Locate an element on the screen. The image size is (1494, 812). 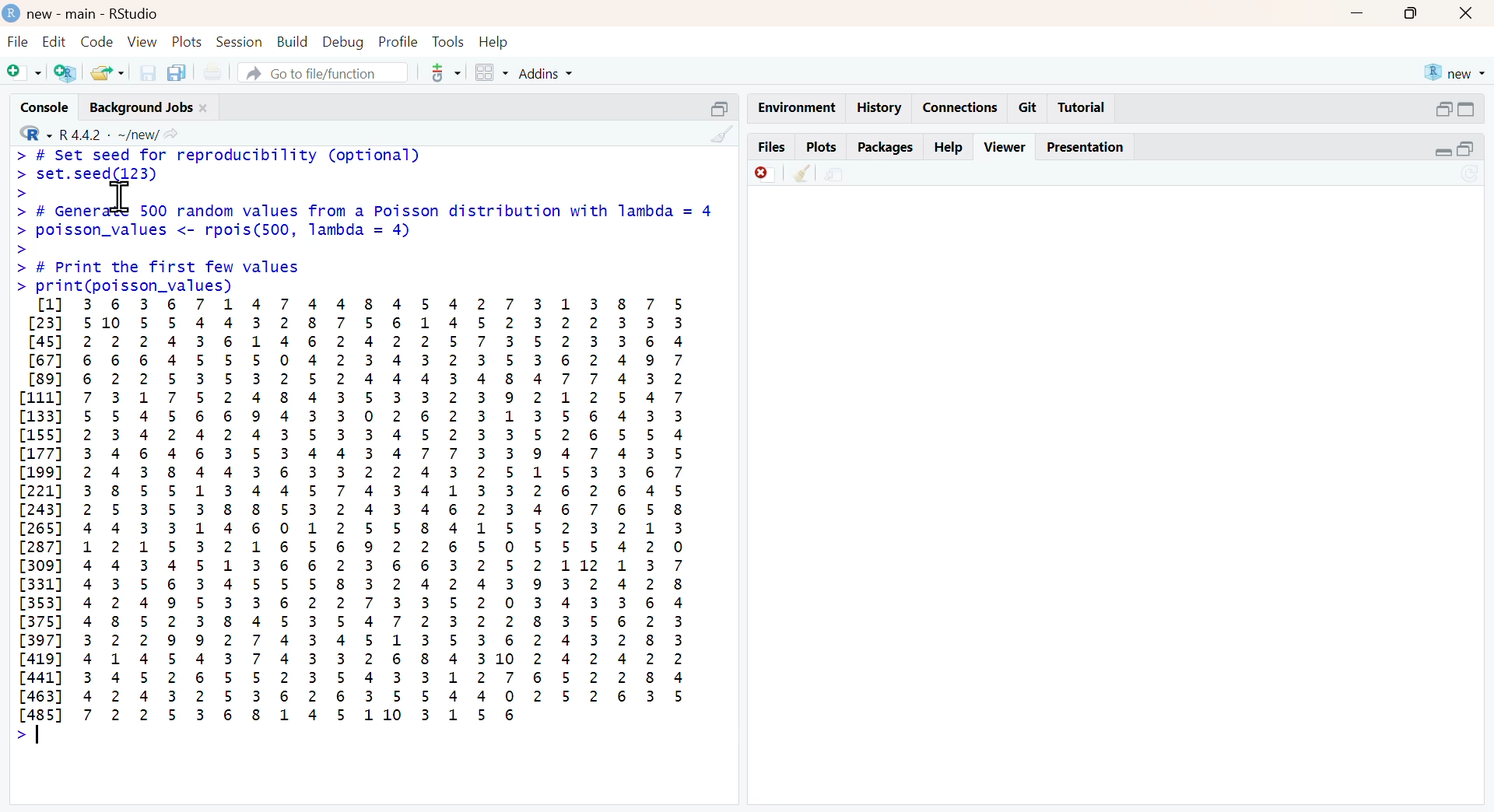
connections is located at coordinates (961, 107).